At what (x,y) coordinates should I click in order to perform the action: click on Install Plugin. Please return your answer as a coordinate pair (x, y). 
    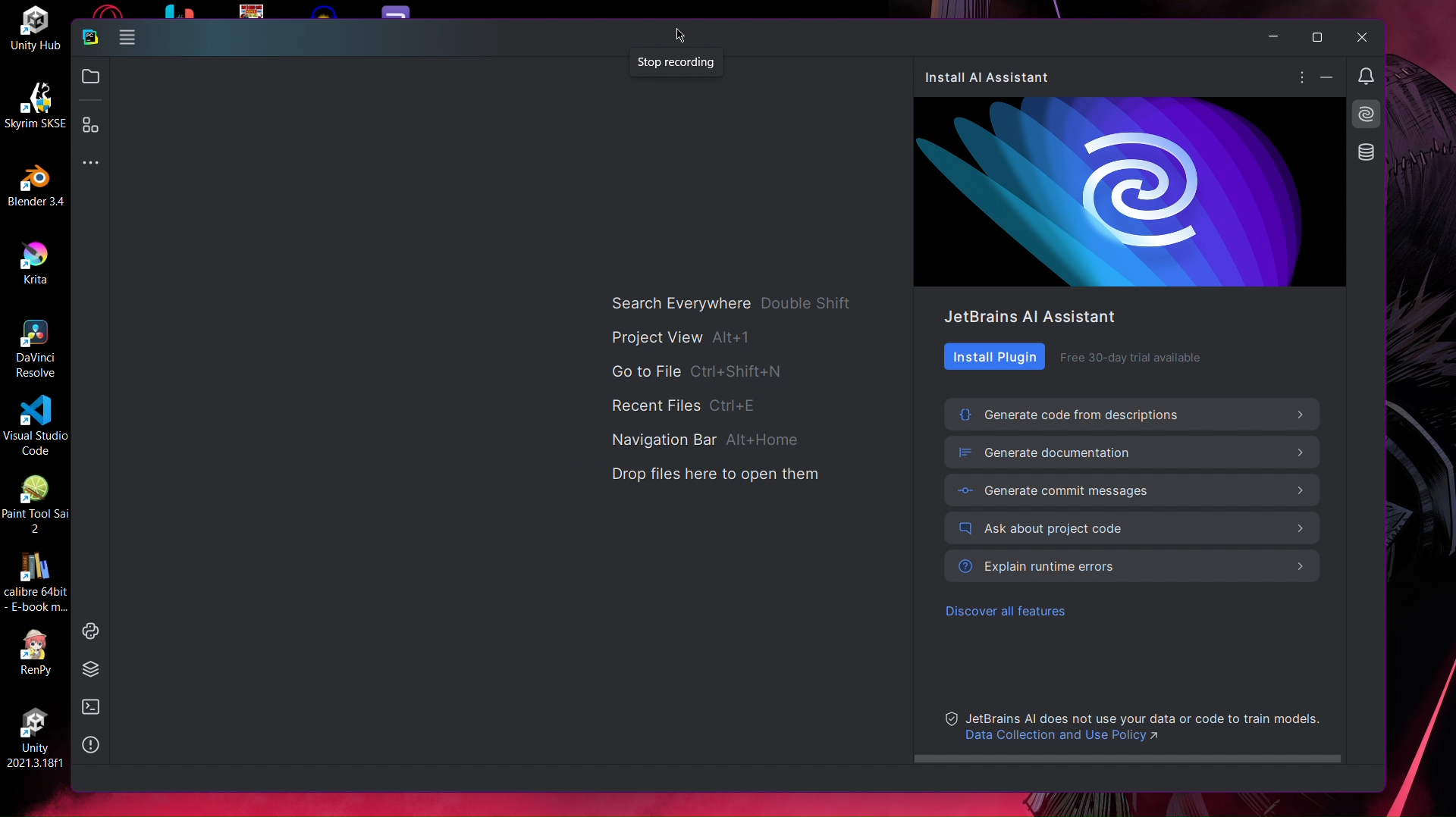
    Looking at the image, I should click on (995, 356).